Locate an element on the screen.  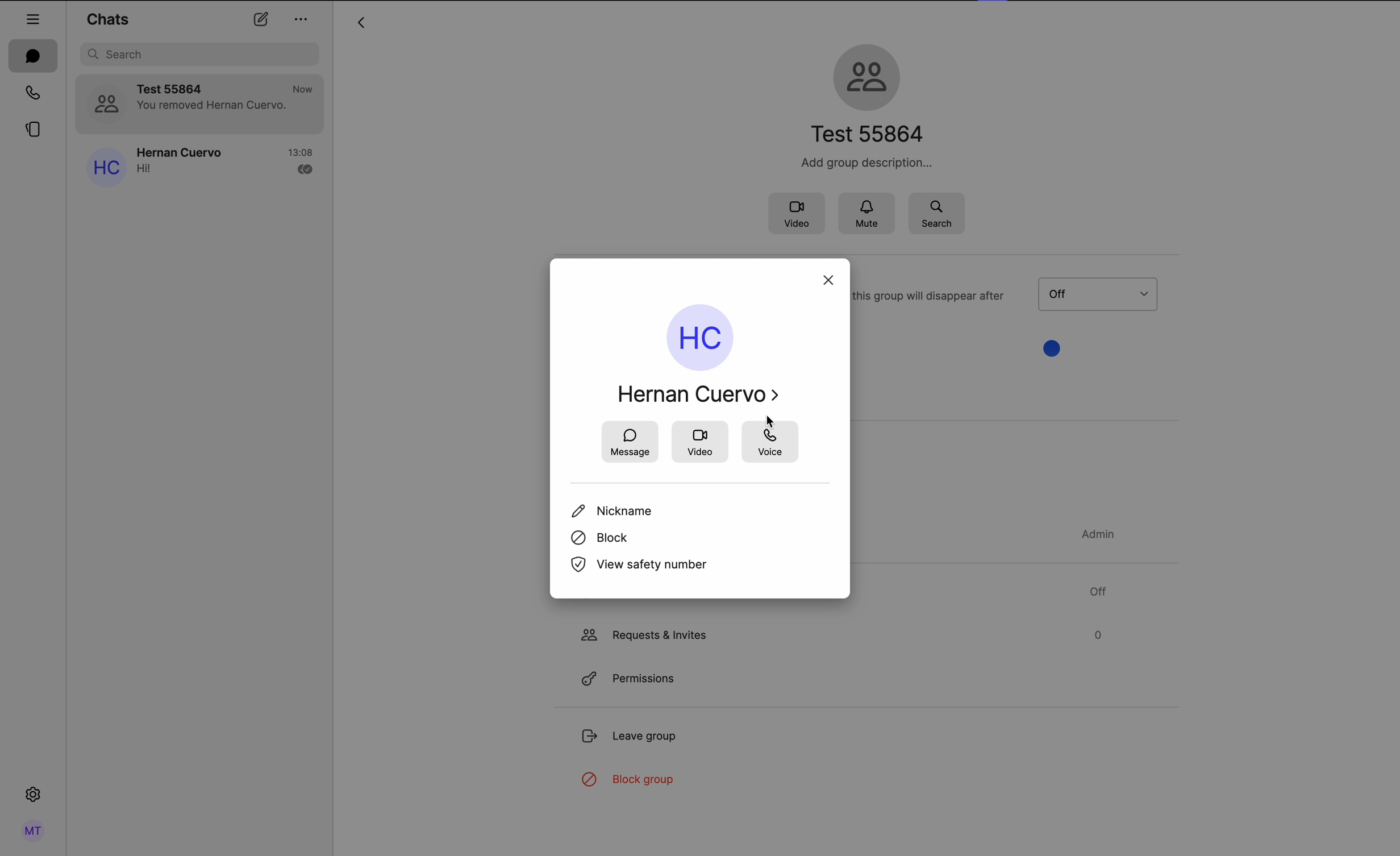
close is located at coordinates (828, 277).